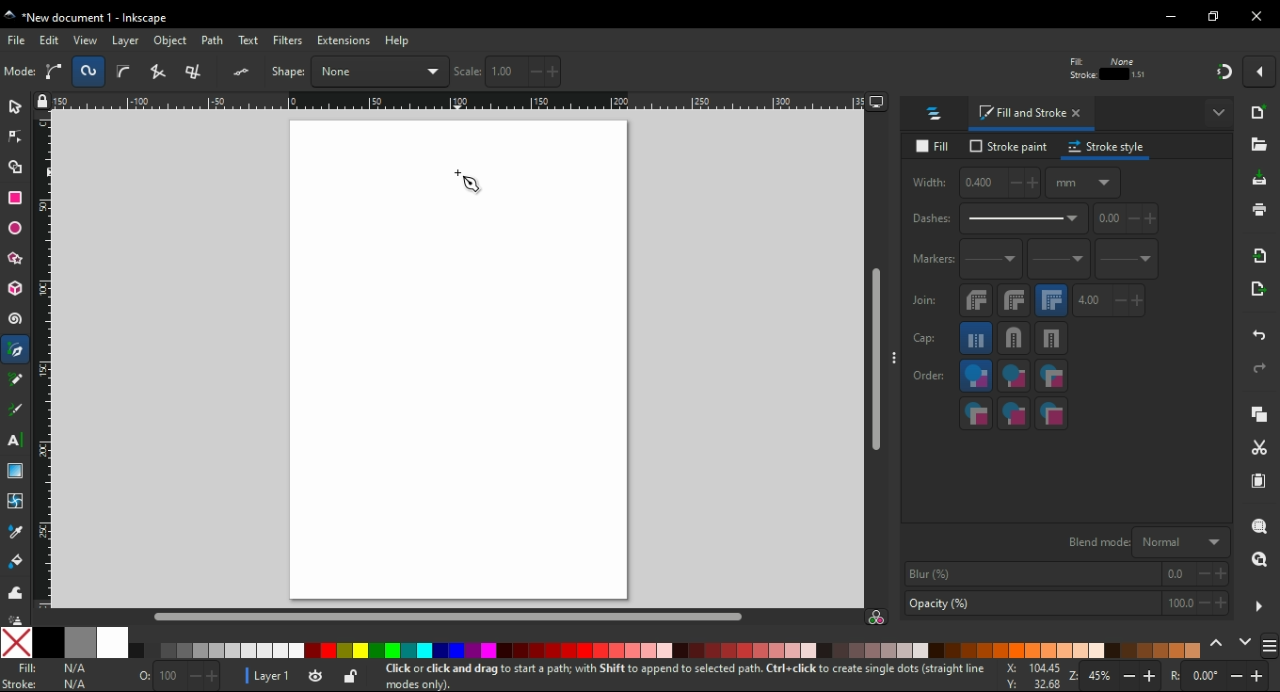 This screenshot has width=1280, height=692. What do you see at coordinates (15, 500) in the screenshot?
I see `mesh` at bounding box center [15, 500].